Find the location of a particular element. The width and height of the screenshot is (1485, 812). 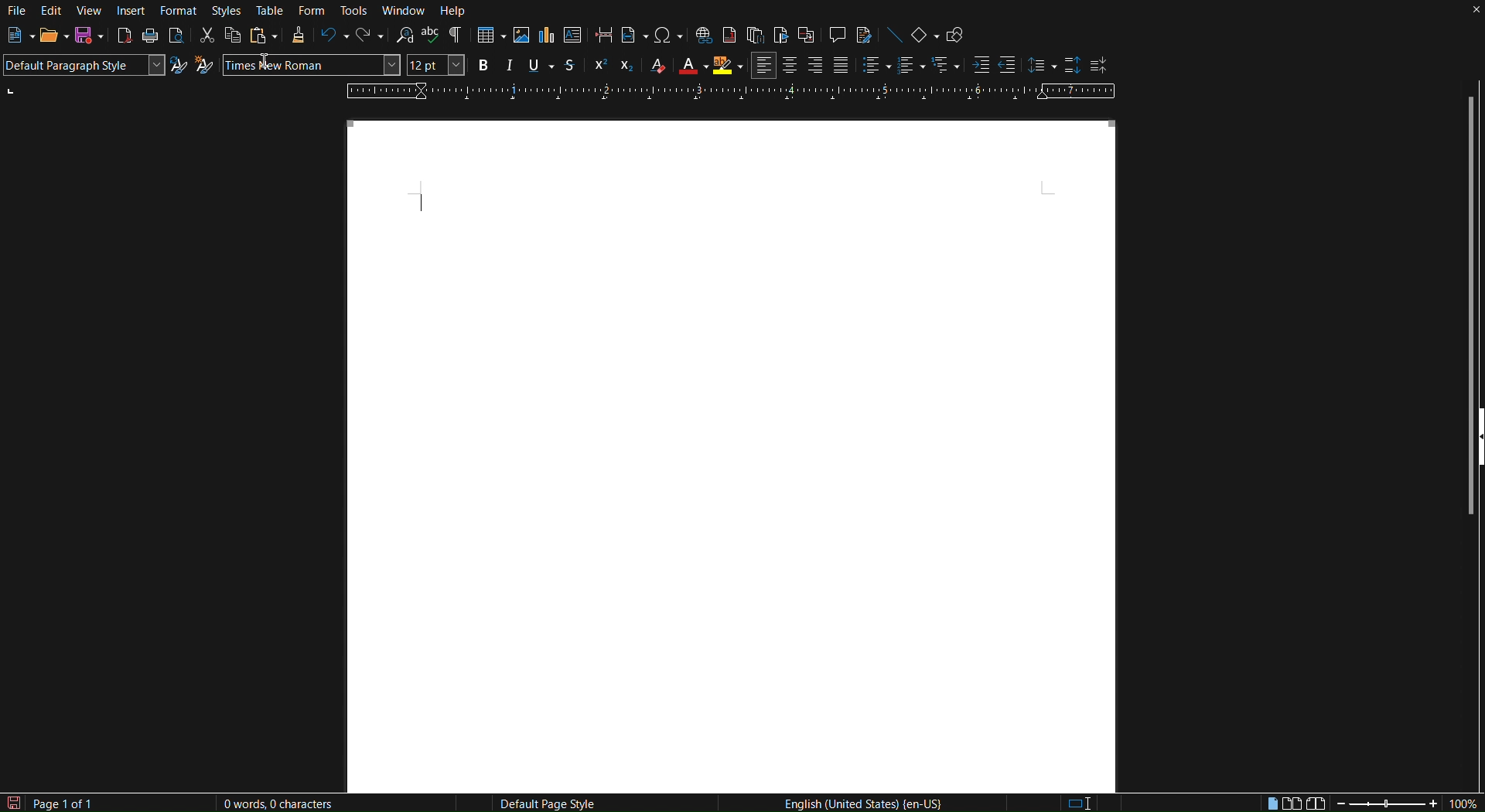

Open is located at coordinates (48, 38).